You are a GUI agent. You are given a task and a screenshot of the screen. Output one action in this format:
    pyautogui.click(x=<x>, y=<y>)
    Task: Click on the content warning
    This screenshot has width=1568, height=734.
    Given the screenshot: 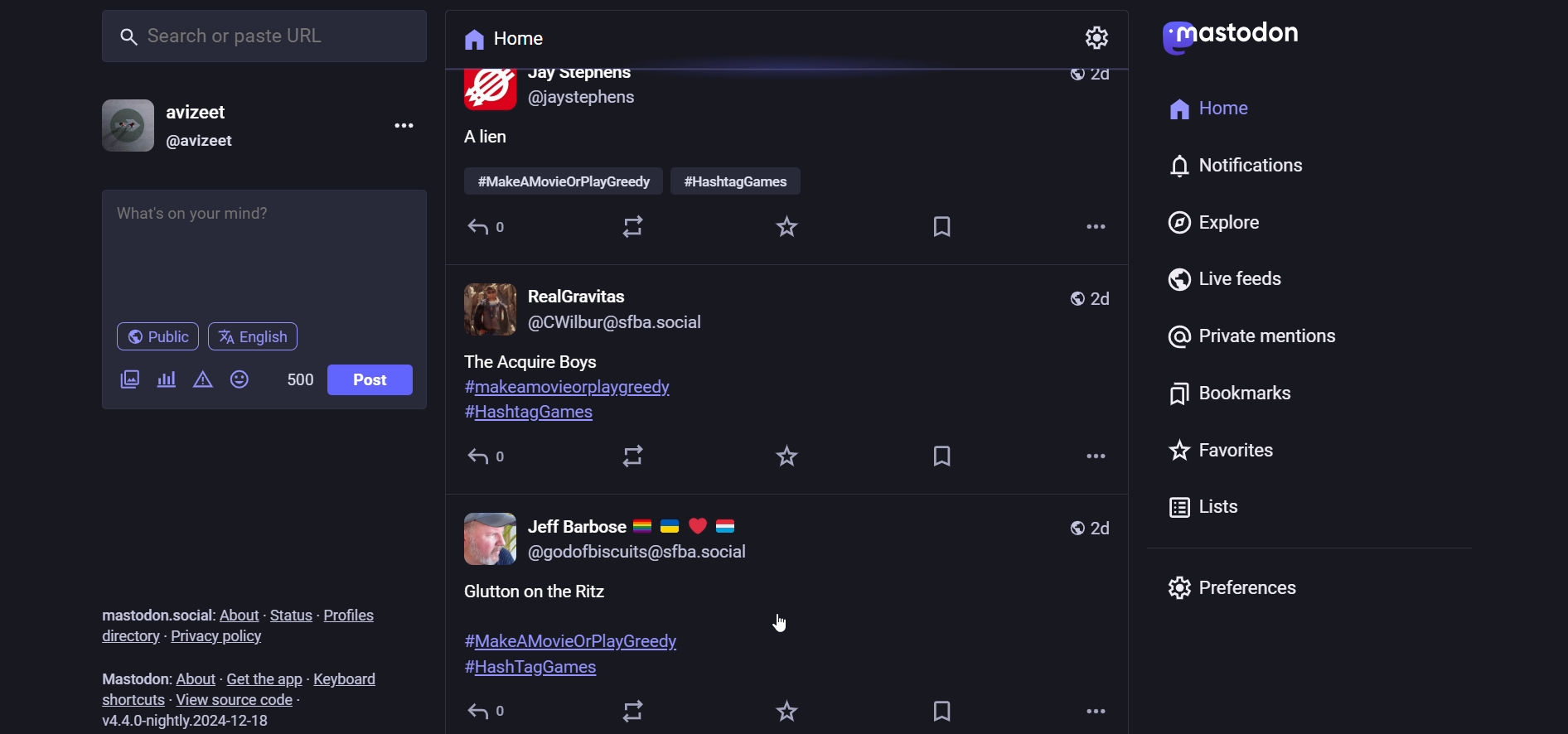 What is the action you would take?
    pyautogui.click(x=205, y=382)
    